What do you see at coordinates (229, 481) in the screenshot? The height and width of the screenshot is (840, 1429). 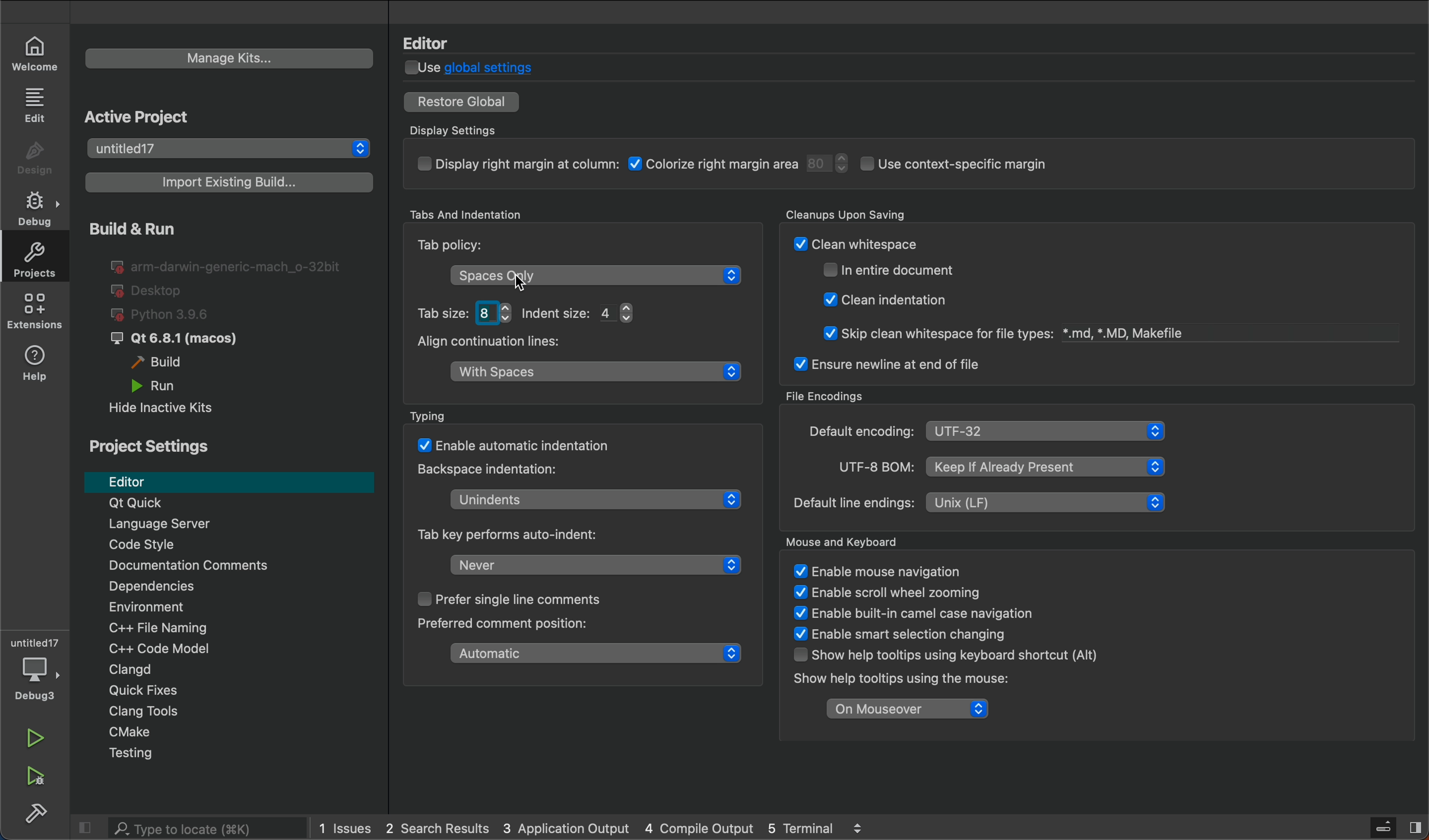 I see `editor` at bounding box center [229, 481].